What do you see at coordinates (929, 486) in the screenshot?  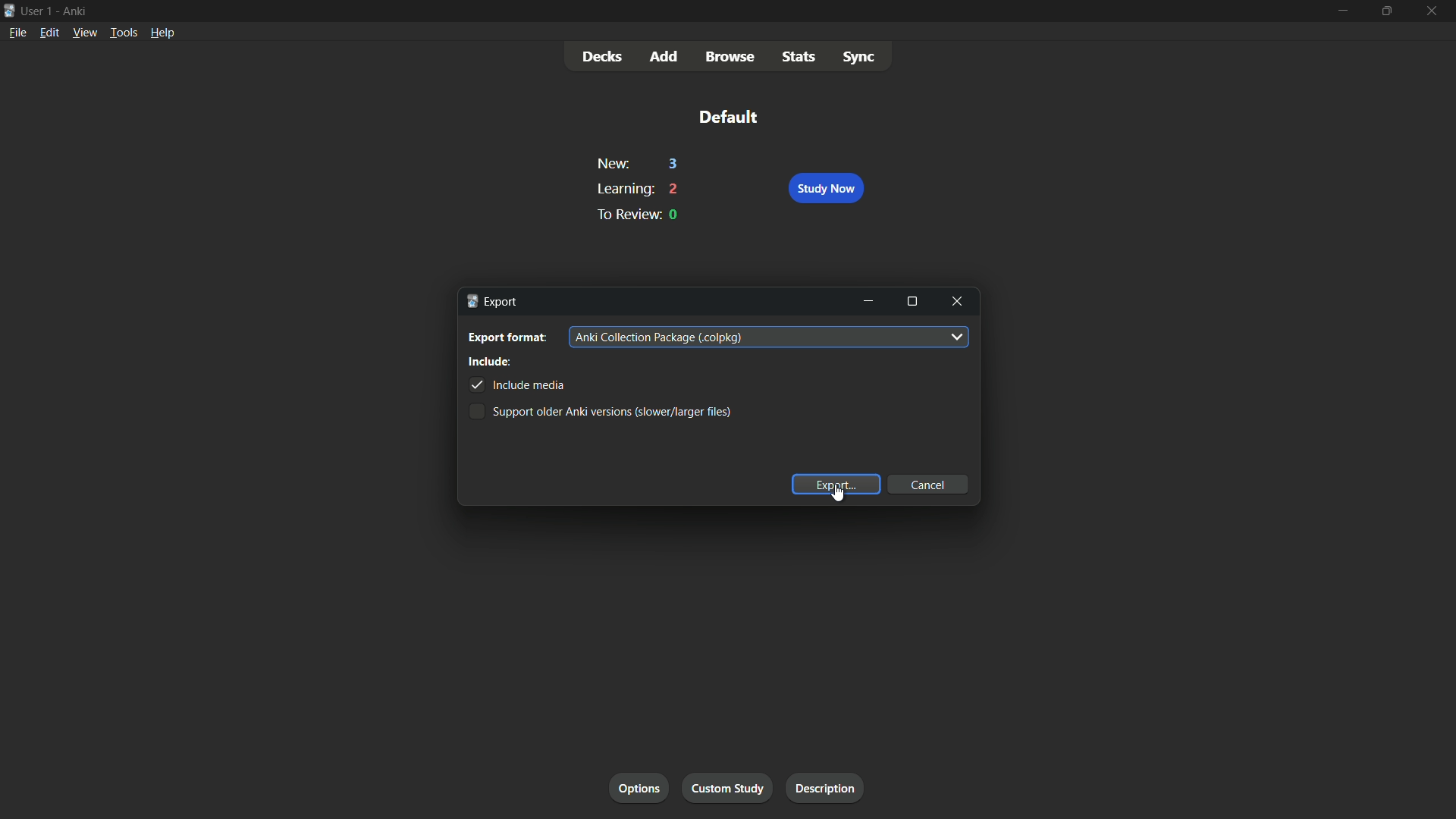 I see `cancel` at bounding box center [929, 486].